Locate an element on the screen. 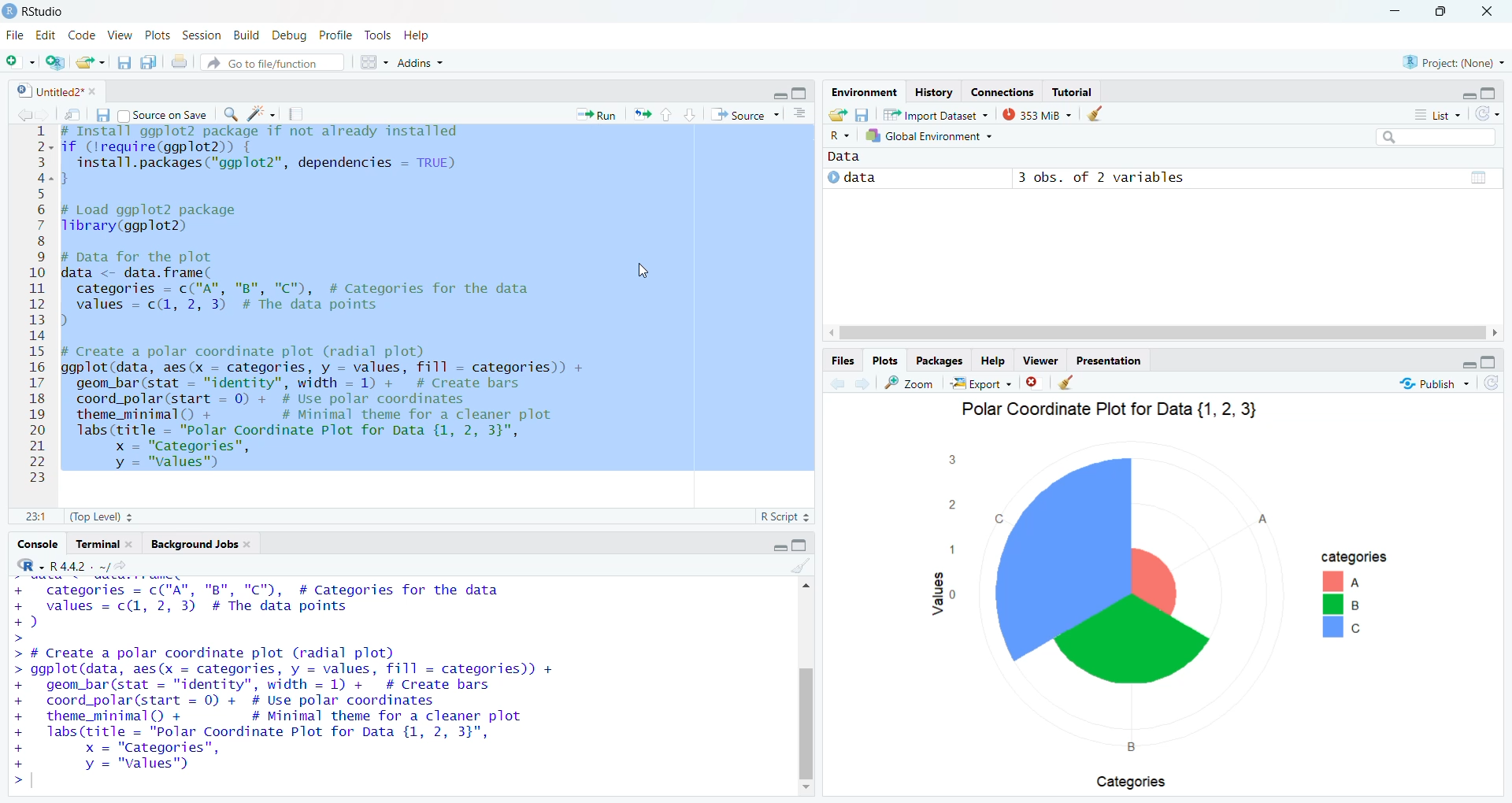  Edit is located at coordinates (44, 37).